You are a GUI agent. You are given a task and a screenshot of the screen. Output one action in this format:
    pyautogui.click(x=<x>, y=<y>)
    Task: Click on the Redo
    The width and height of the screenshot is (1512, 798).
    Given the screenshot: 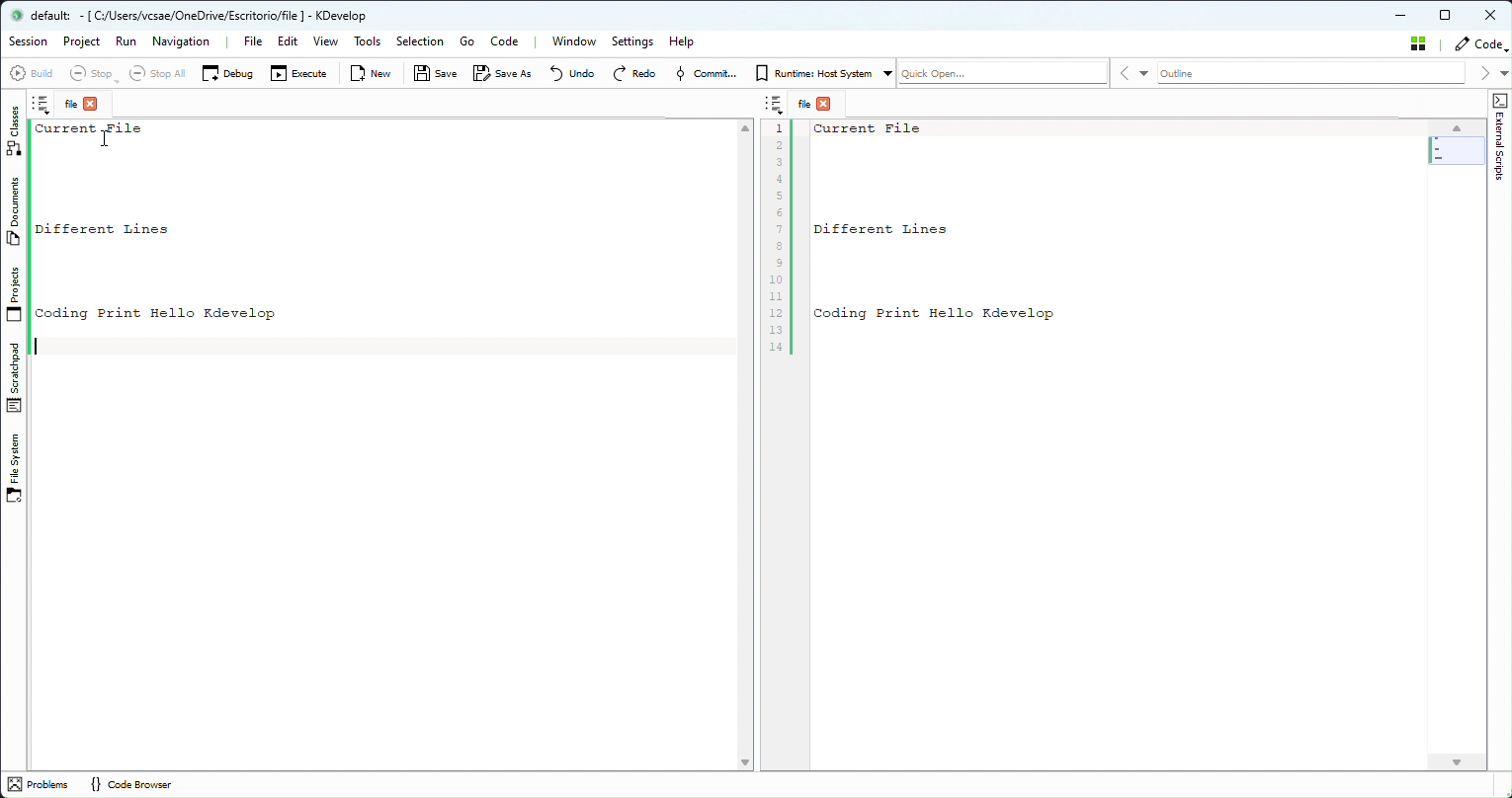 What is the action you would take?
    pyautogui.click(x=635, y=72)
    